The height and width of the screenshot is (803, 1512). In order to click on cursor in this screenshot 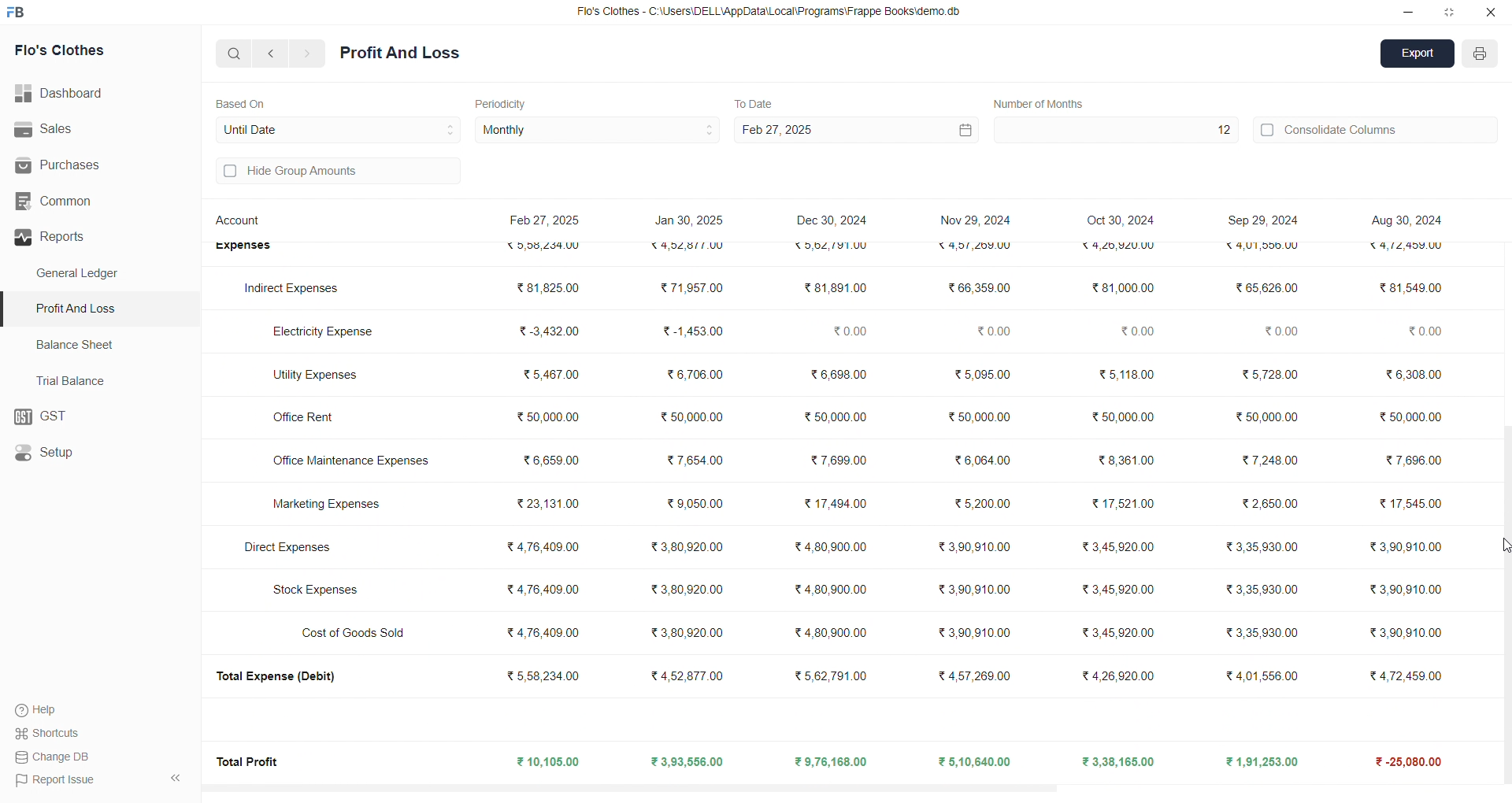, I will do `click(1499, 546)`.